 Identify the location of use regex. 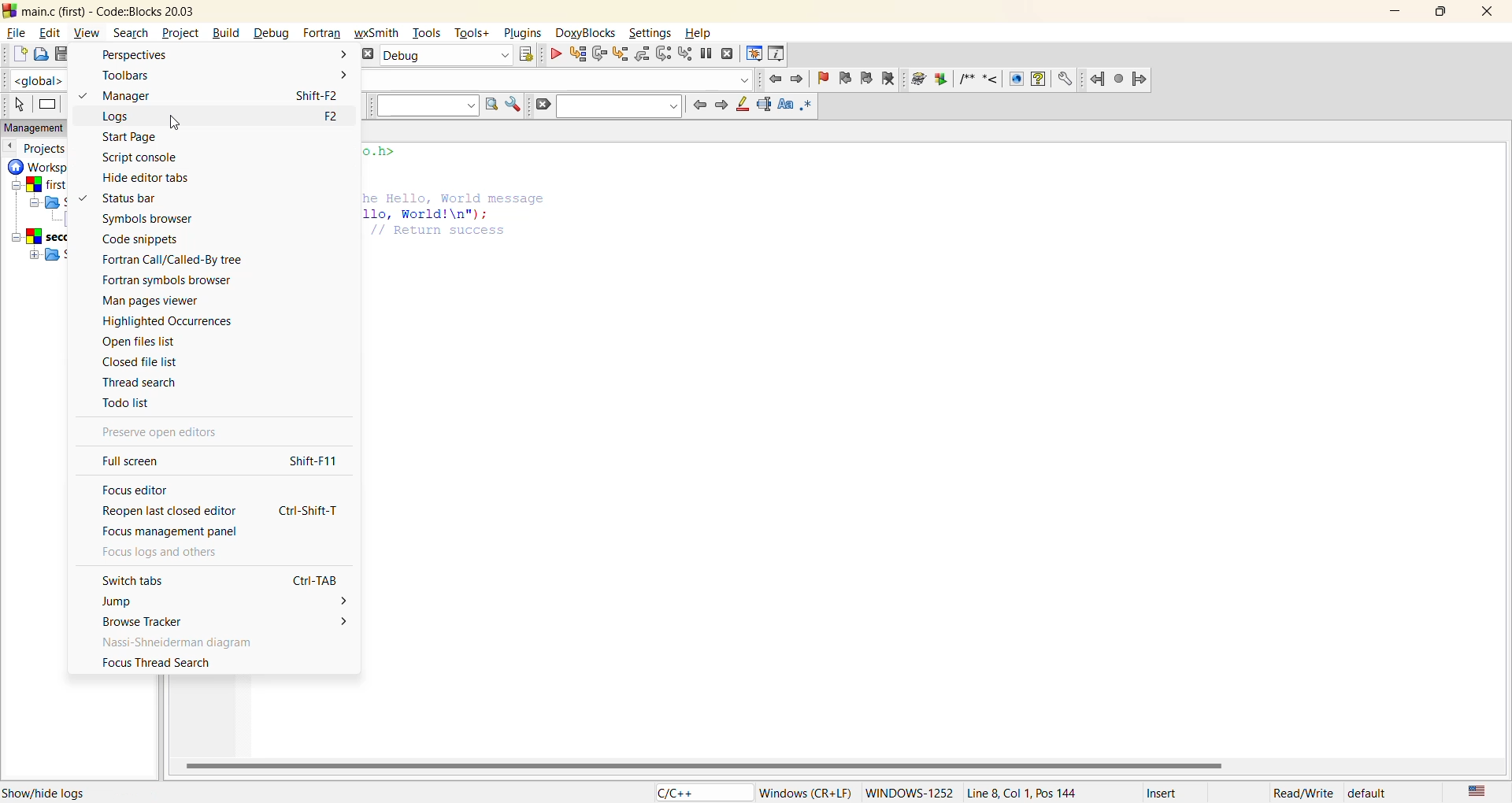
(807, 107).